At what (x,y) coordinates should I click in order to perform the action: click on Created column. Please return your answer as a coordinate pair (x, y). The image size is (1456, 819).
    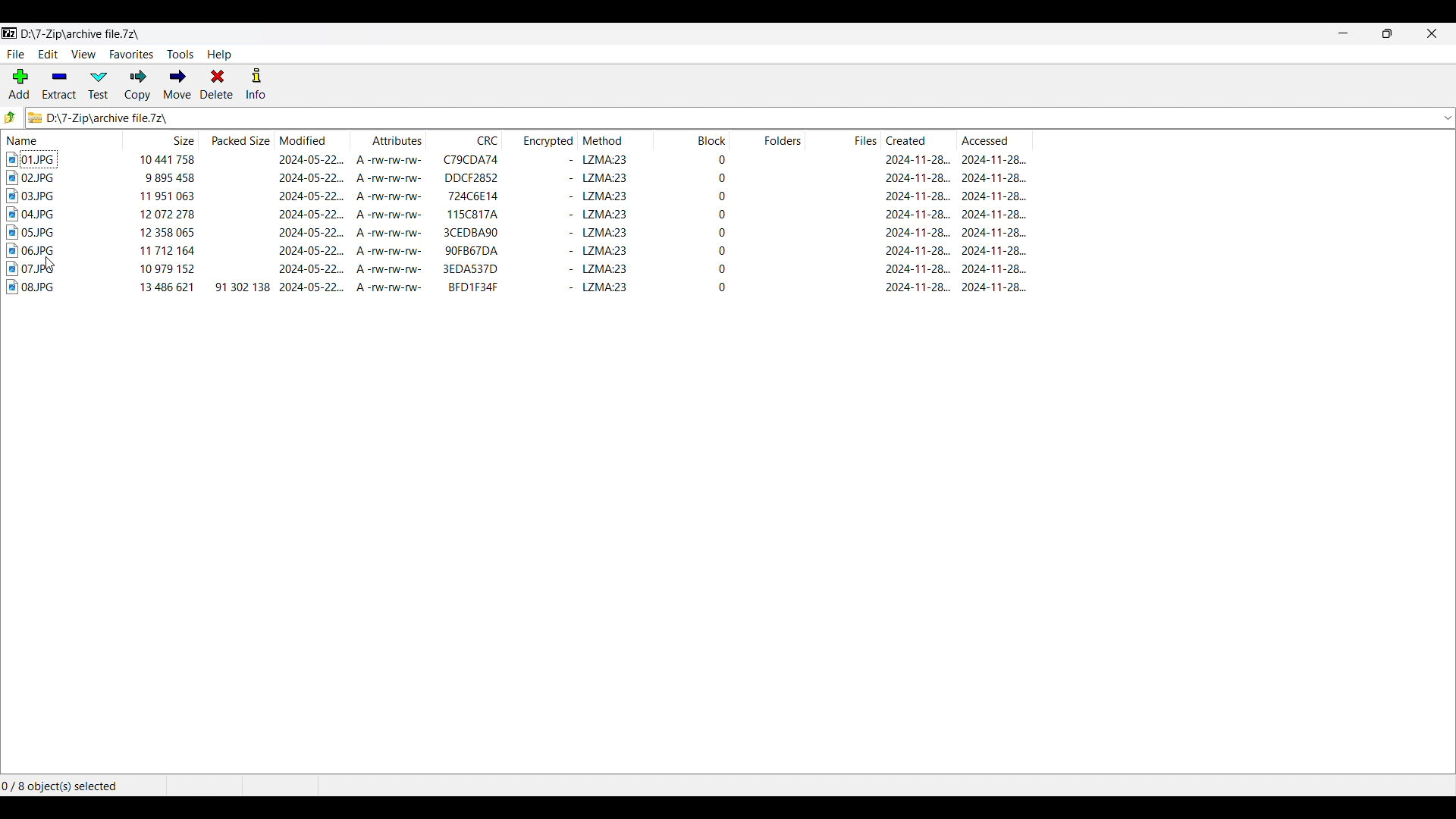
    Looking at the image, I should click on (920, 139).